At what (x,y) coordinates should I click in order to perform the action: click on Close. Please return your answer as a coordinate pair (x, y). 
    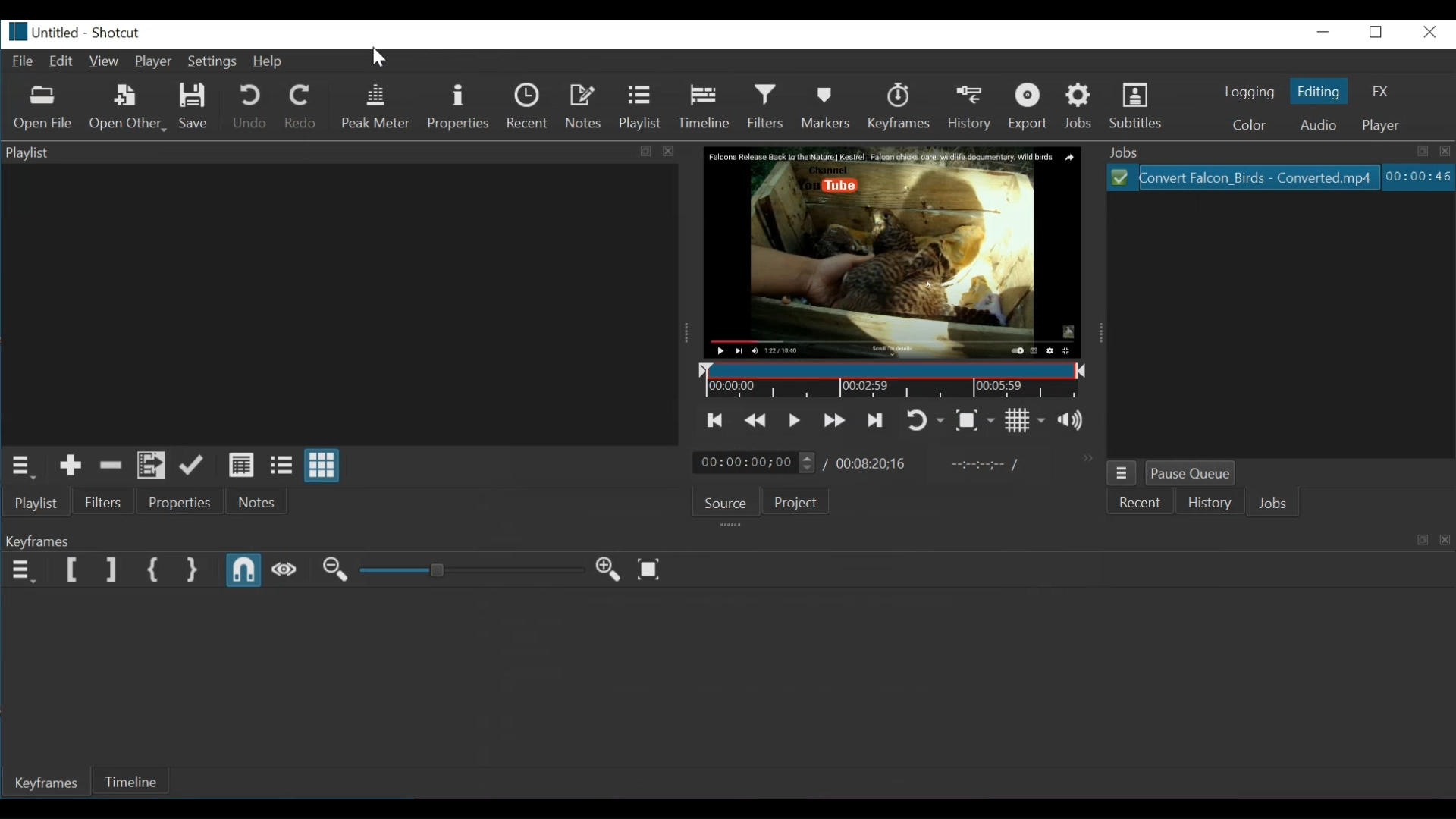
    Looking at the image, I should click on (1430, 33).